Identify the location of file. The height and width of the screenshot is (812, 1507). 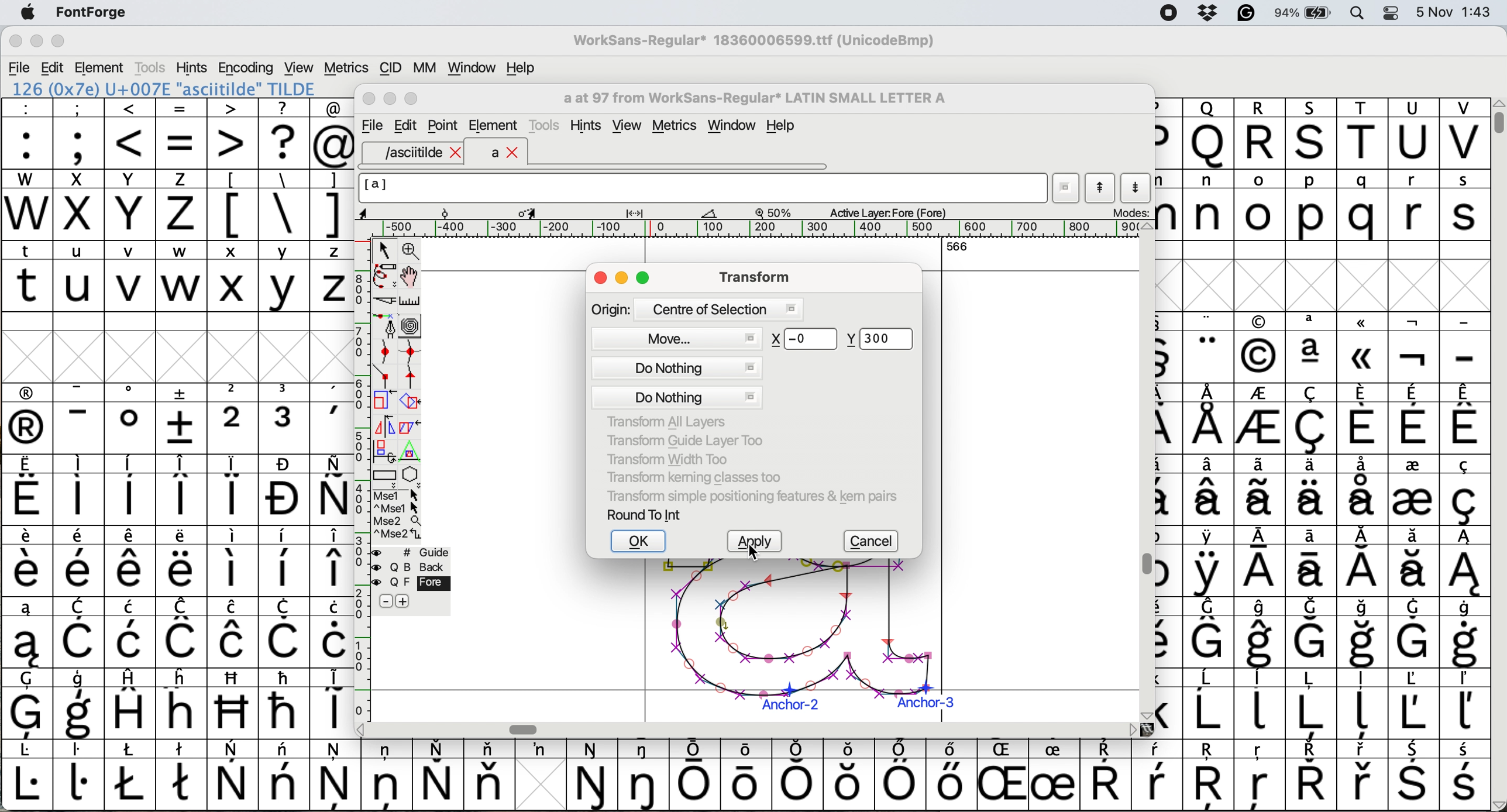
(370, 126).